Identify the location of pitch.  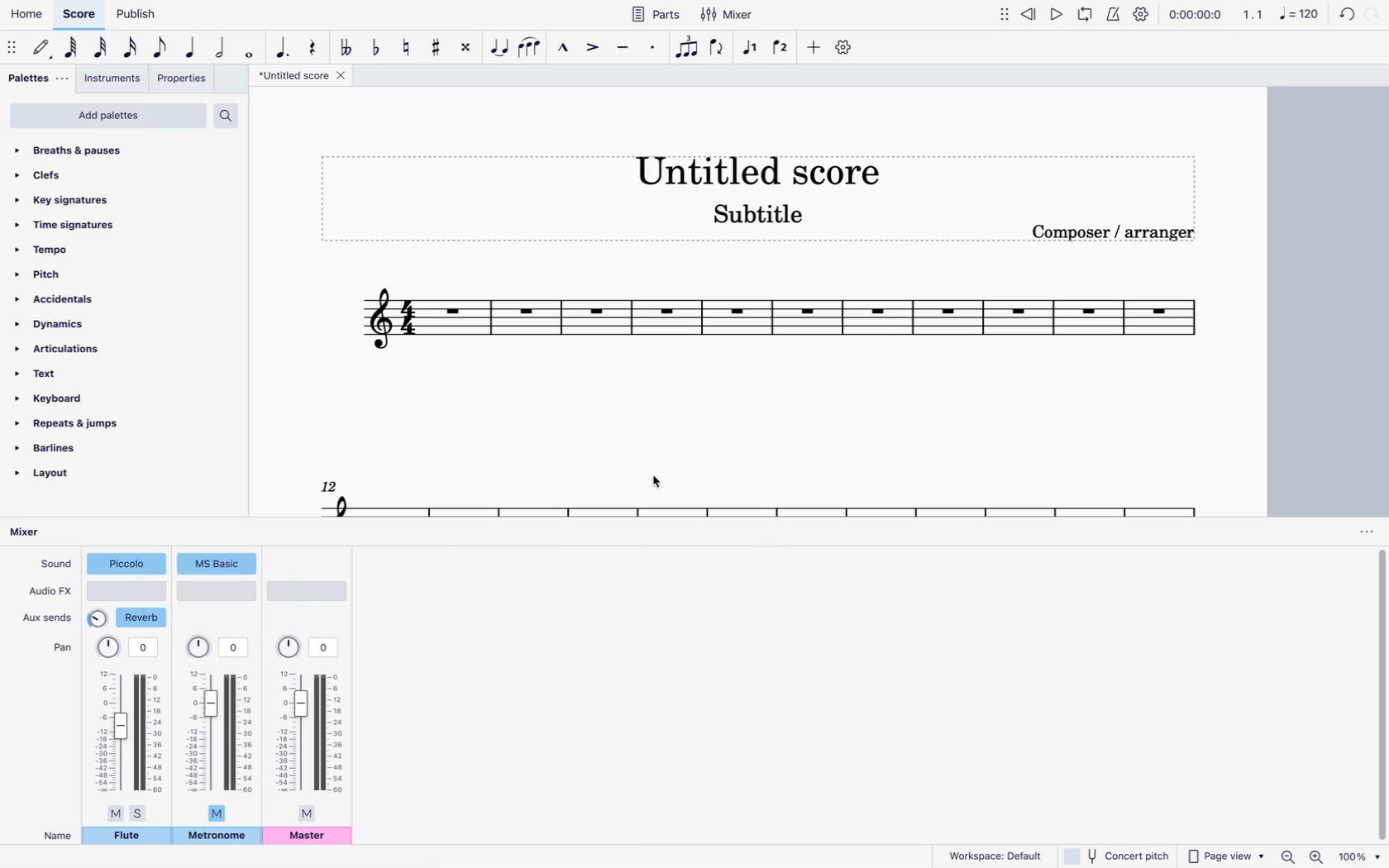
(76, 273).